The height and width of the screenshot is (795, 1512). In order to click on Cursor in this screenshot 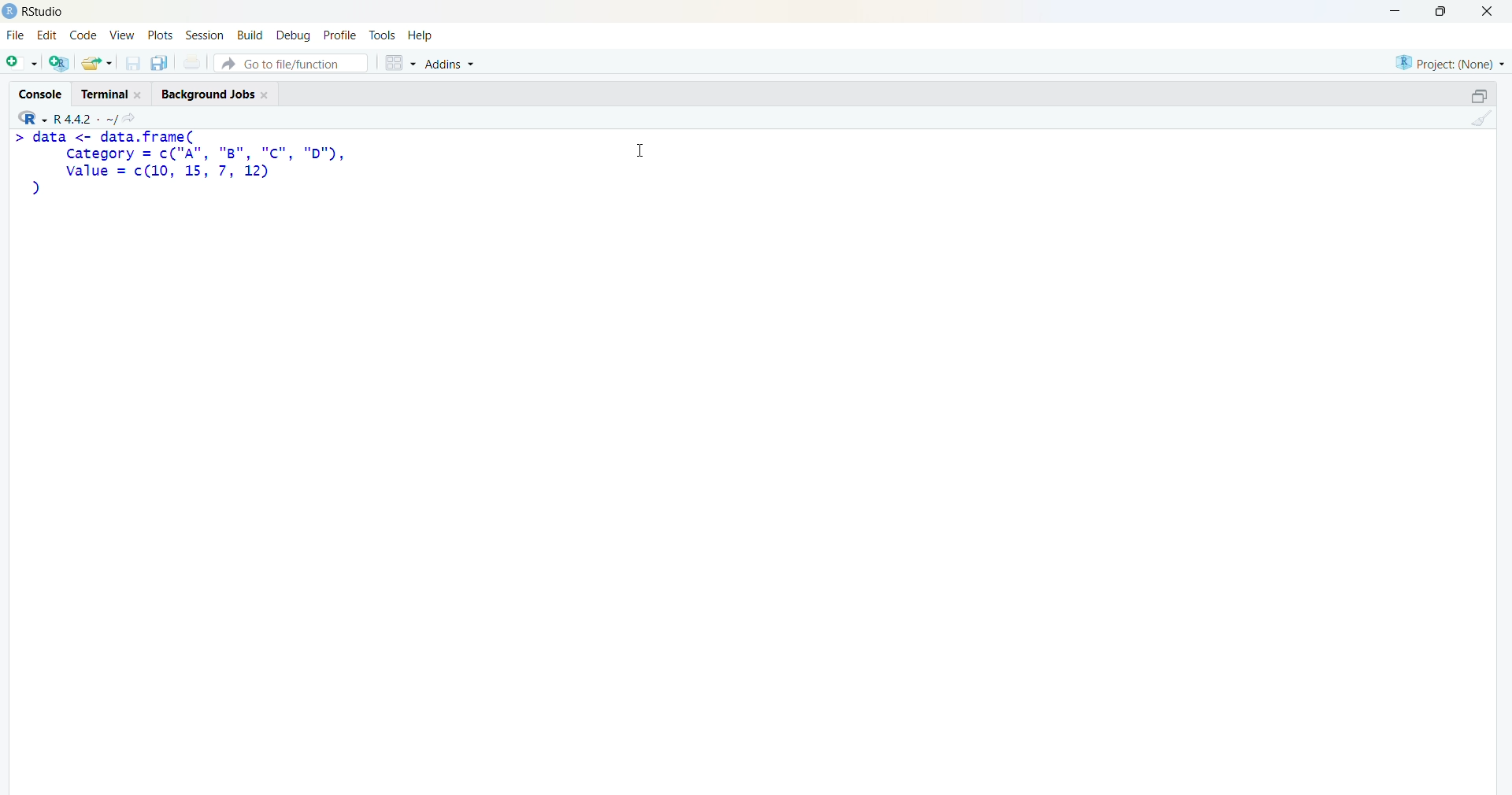, I will do `click(641, 148)`.